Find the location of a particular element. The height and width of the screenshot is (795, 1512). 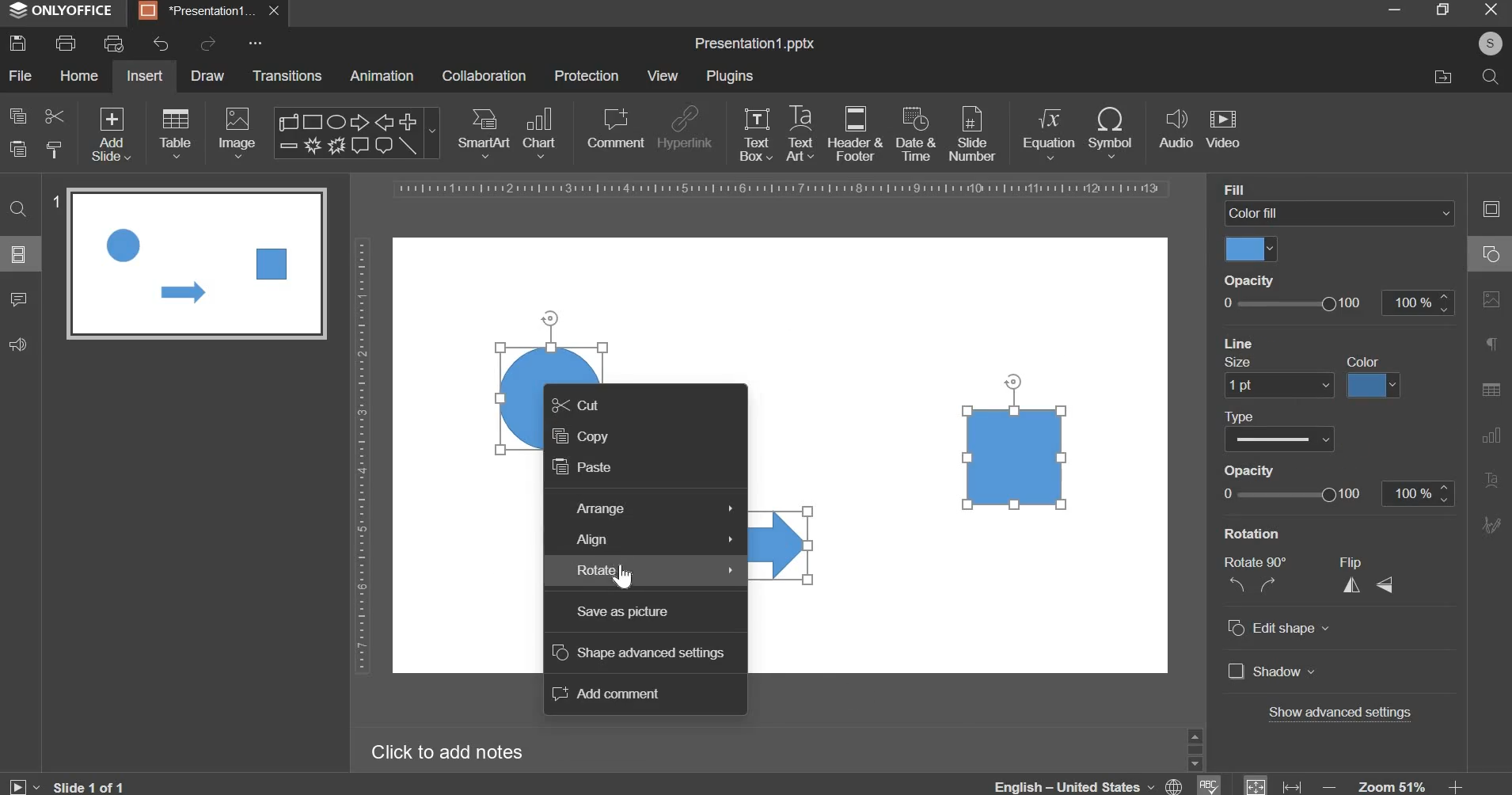

collaboration is located at coordinates (484, 76).